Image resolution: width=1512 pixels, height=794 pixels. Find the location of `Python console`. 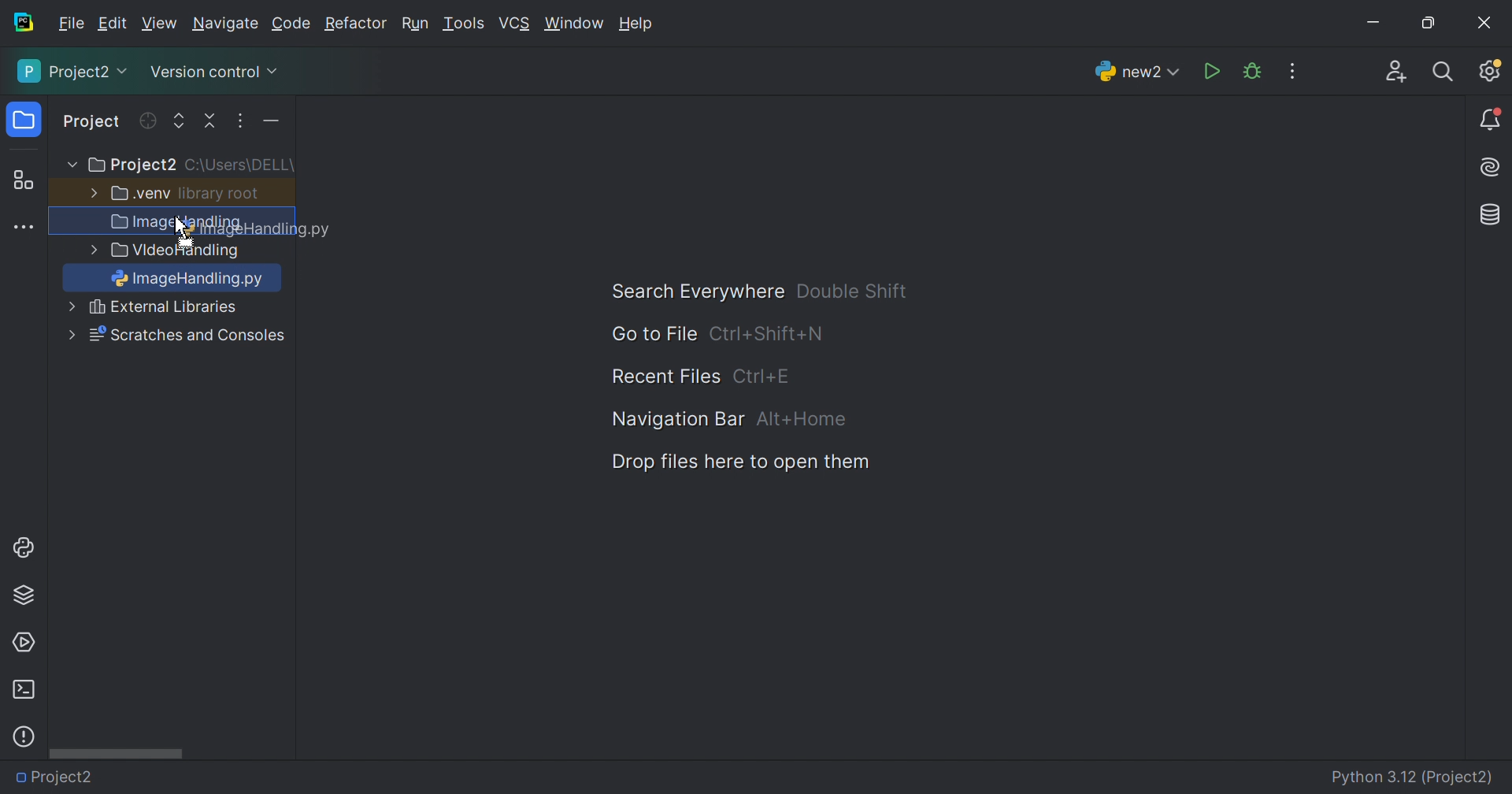

Python console is located at coordinates (26, 547).